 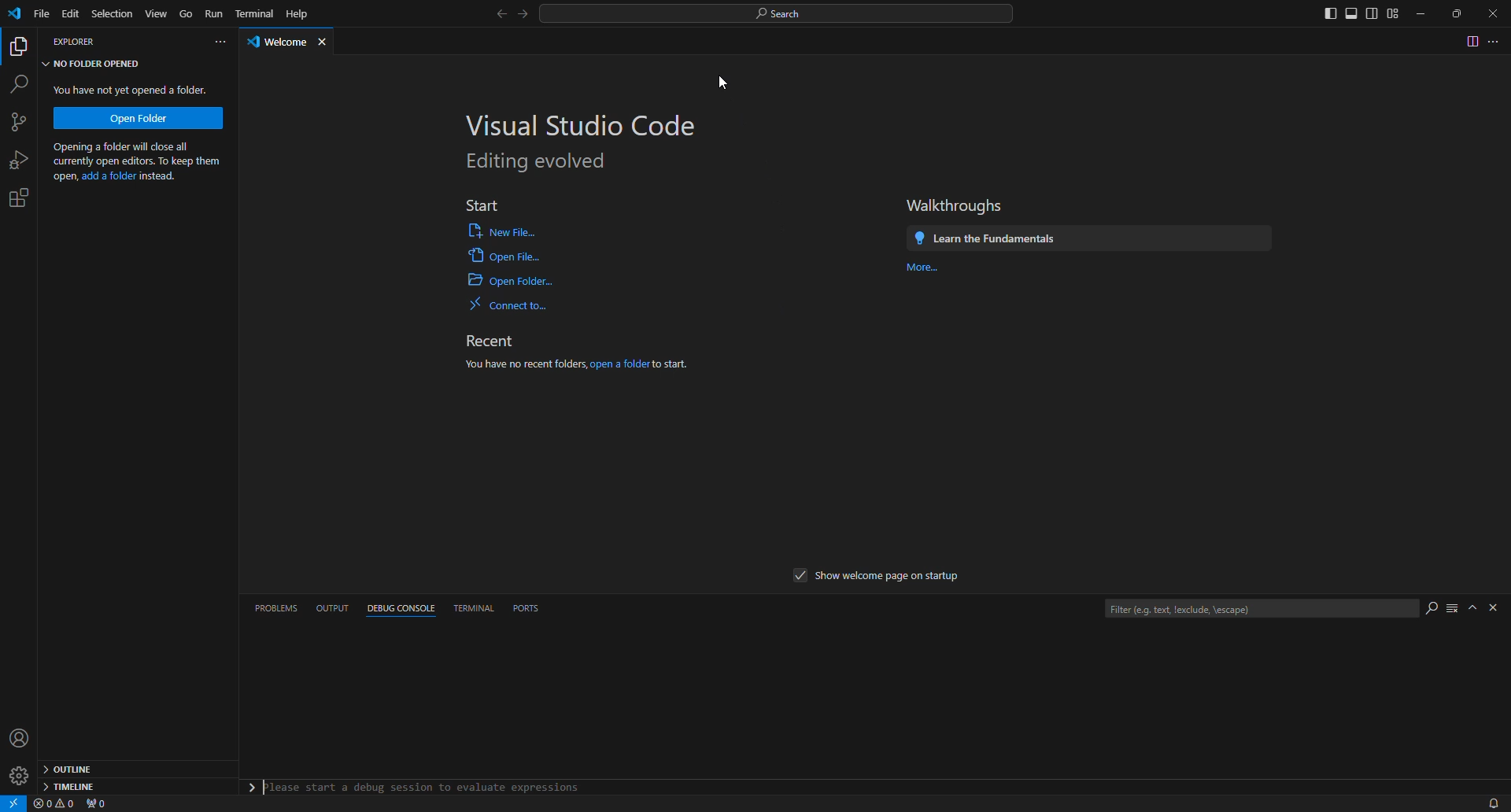 What do you see at coordinates (216, 19) in the screenshot?
I see `Run` at bounding box center [216, 19].